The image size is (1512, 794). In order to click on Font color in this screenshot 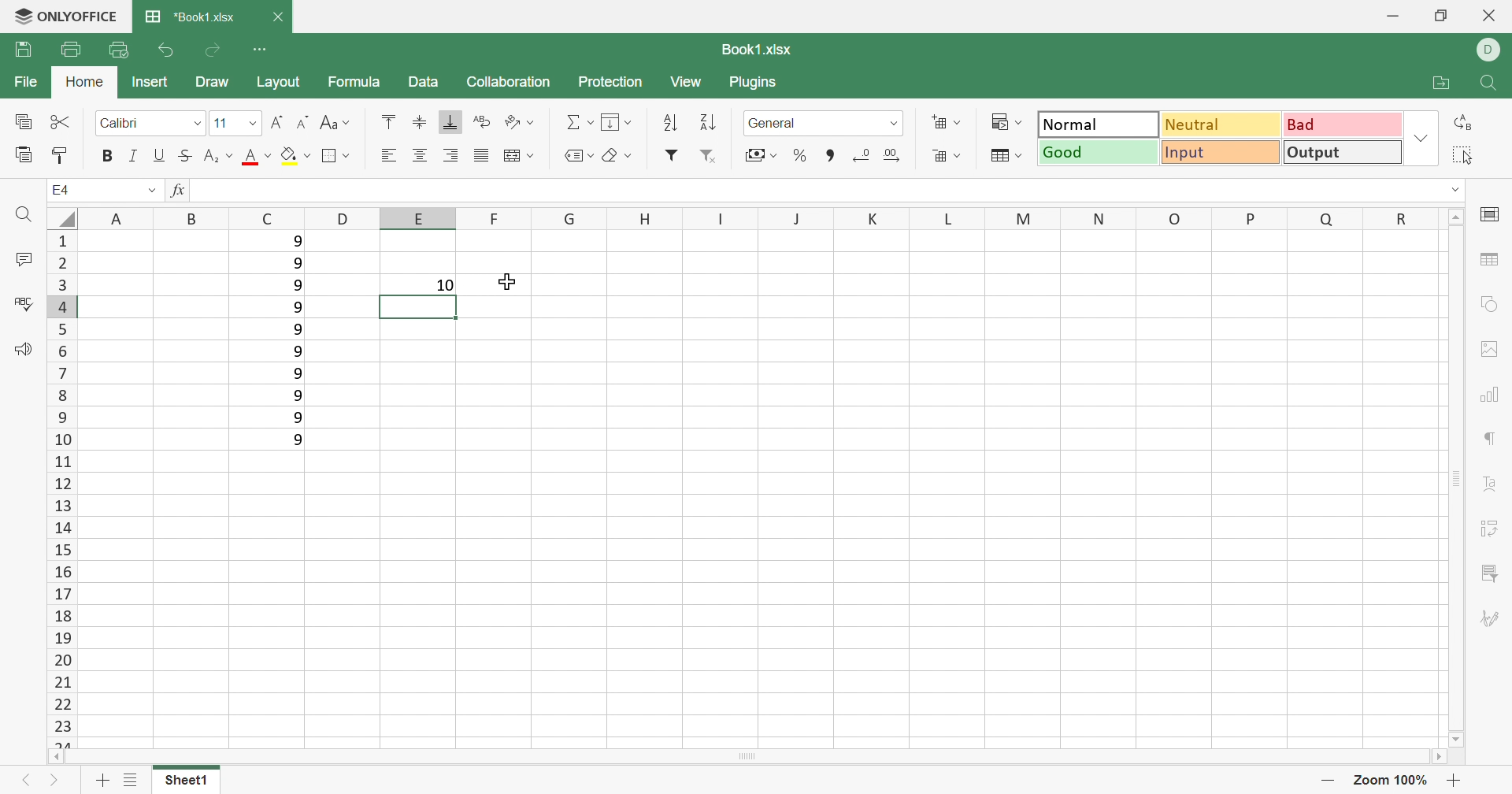, I will do `click(256, 158)`.